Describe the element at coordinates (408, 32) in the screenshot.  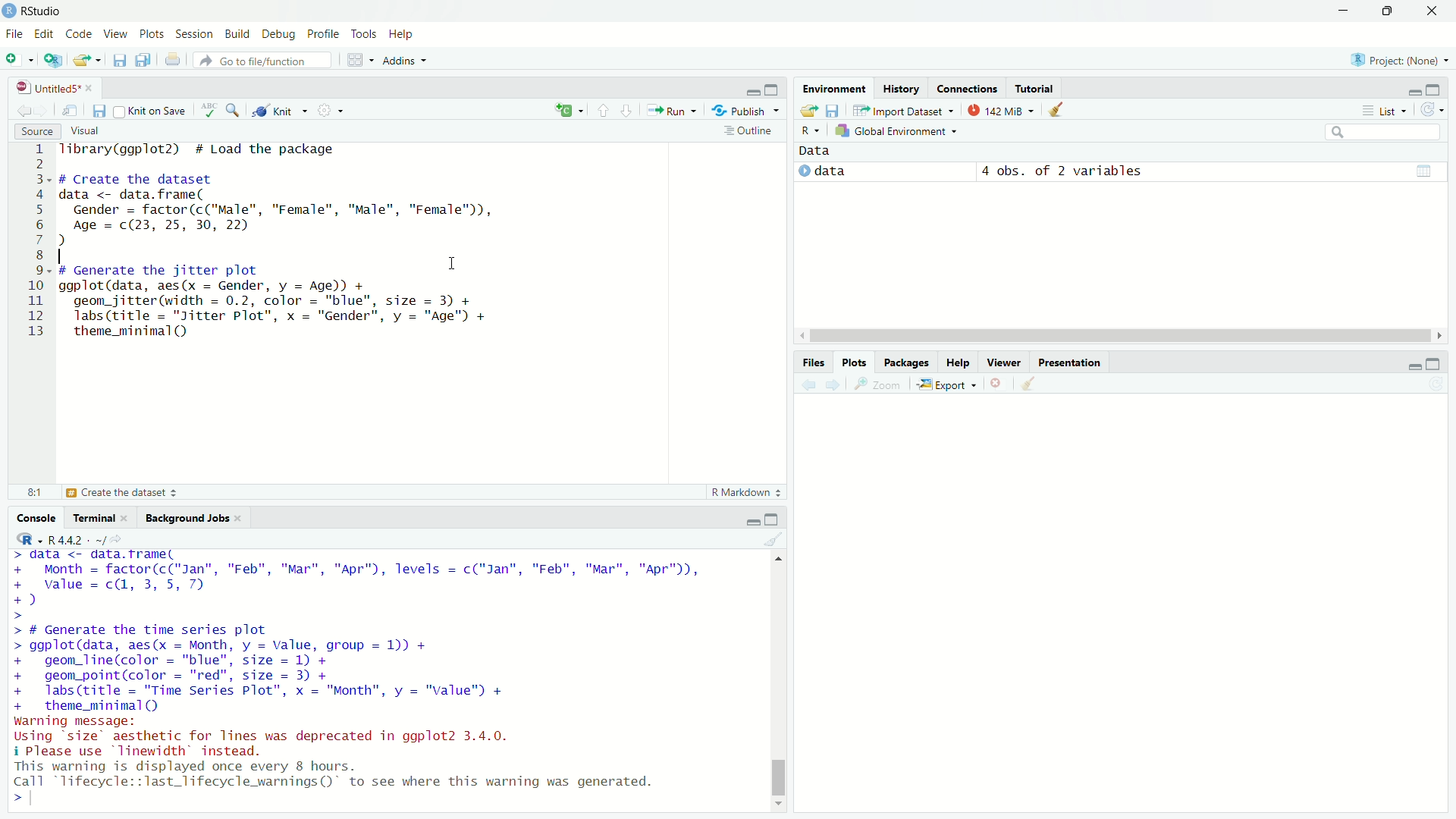
I see `help` at that location.